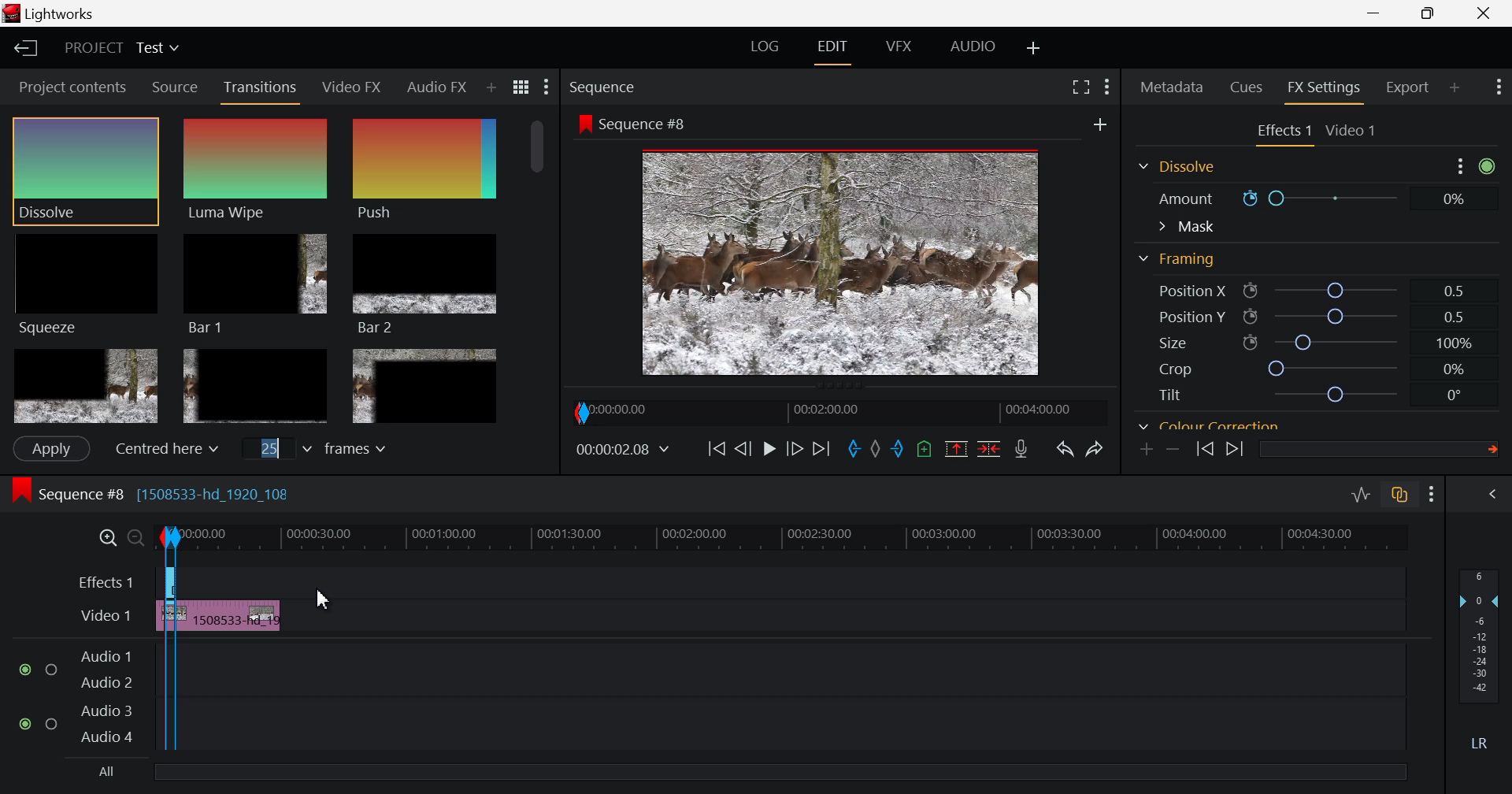 The image size is (1512, 794). I want to click on Previous keyframe, so click(1206, 451).